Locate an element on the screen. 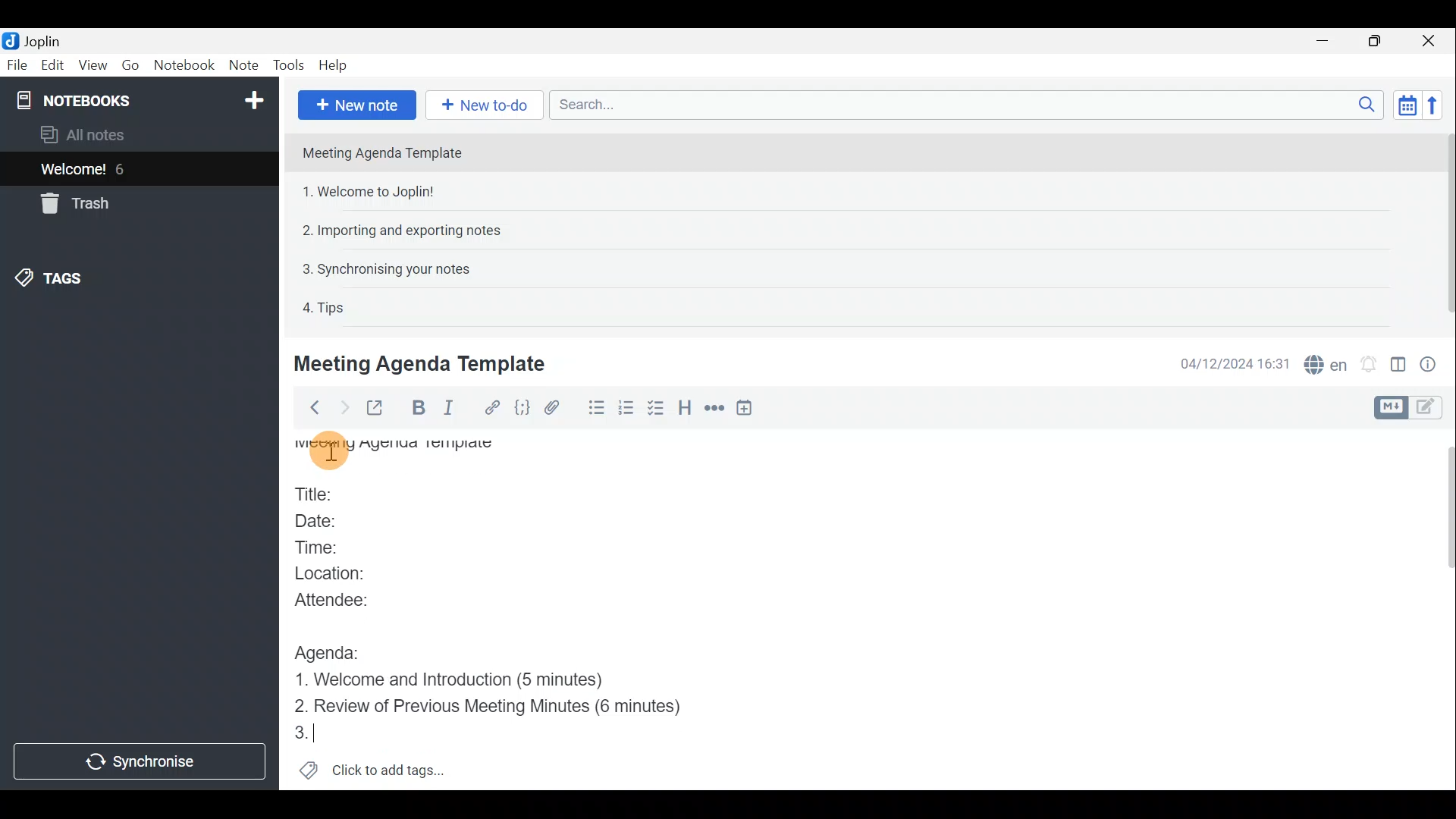 This screenshot has height=819, width=1456. Attach file is located at coordinates (559, 408).